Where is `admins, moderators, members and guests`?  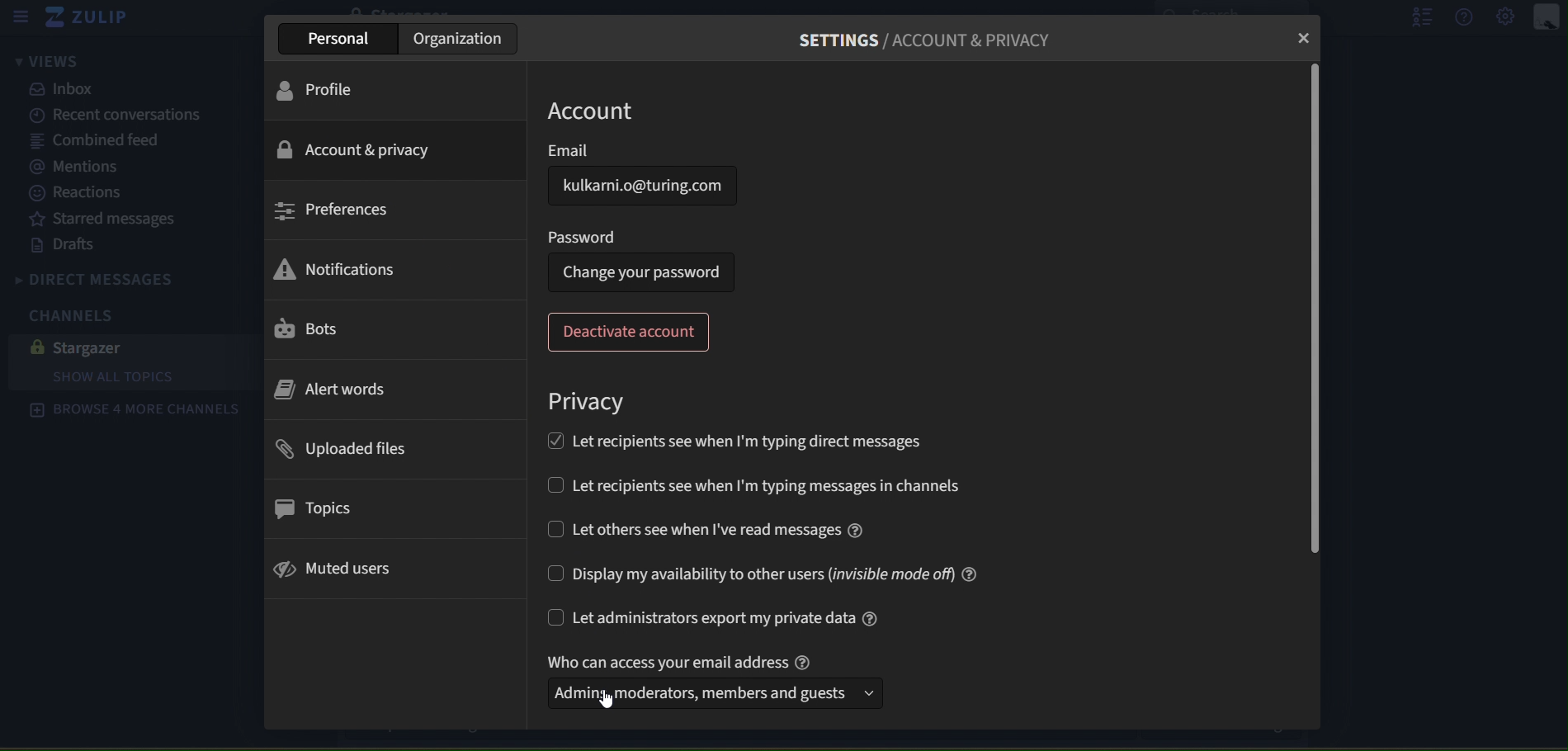 admins, moderators, members and guests is located at coordinates (701, 695).